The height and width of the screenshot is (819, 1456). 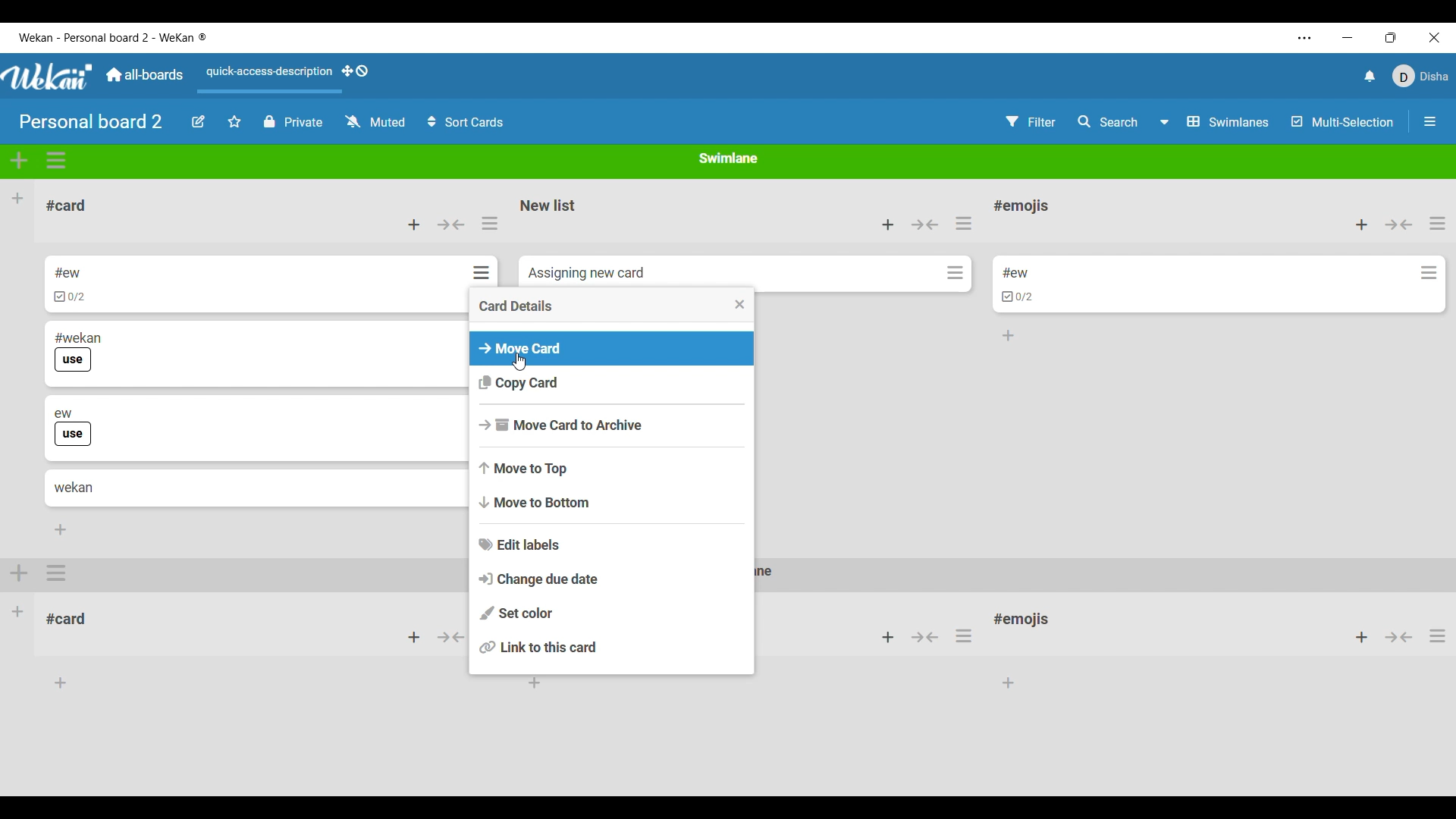 What do you see at coordinates (74, 617) in the screenshot?
I see `#card` at bounding box center [74, 617].